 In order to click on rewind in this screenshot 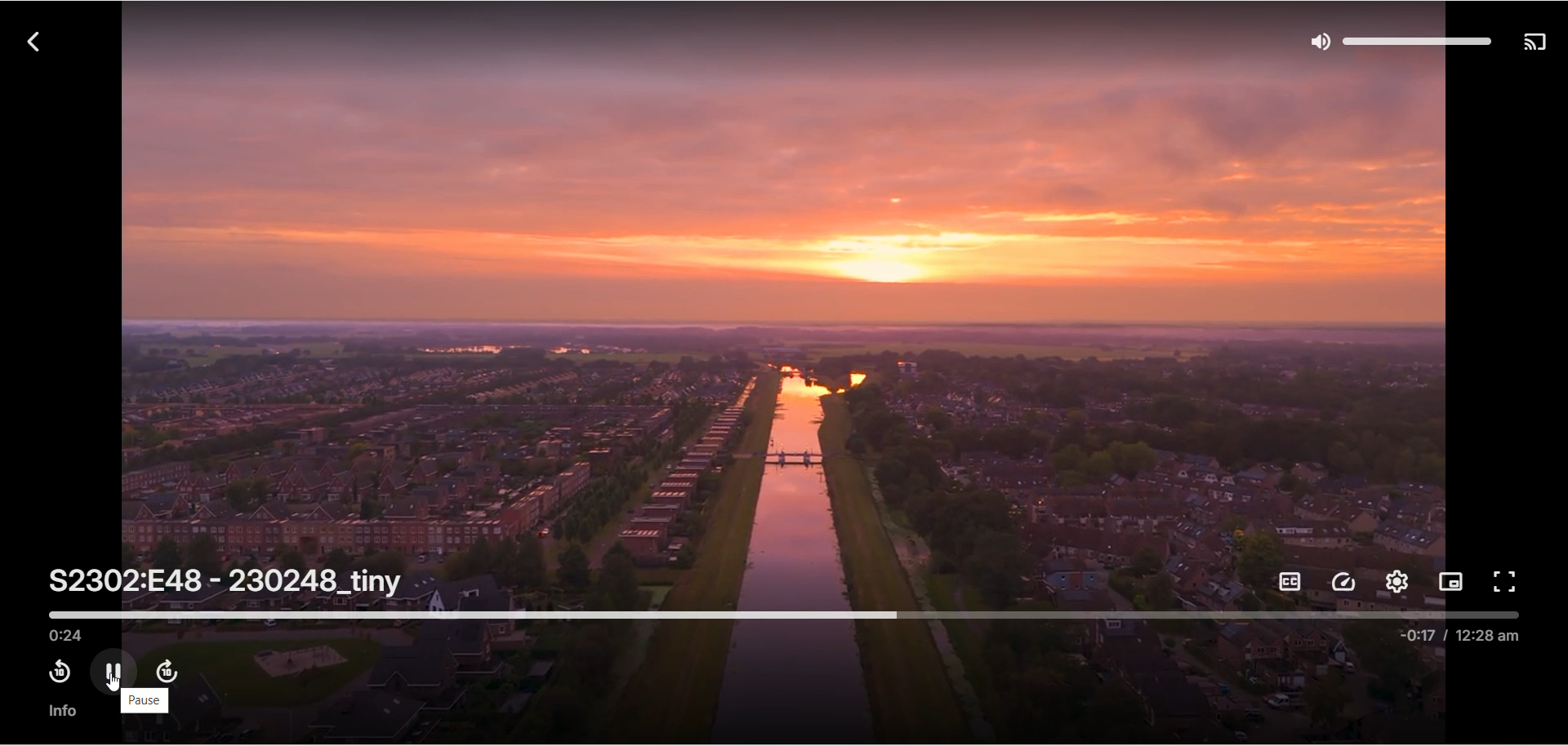, I will do `click(55, 672)`.